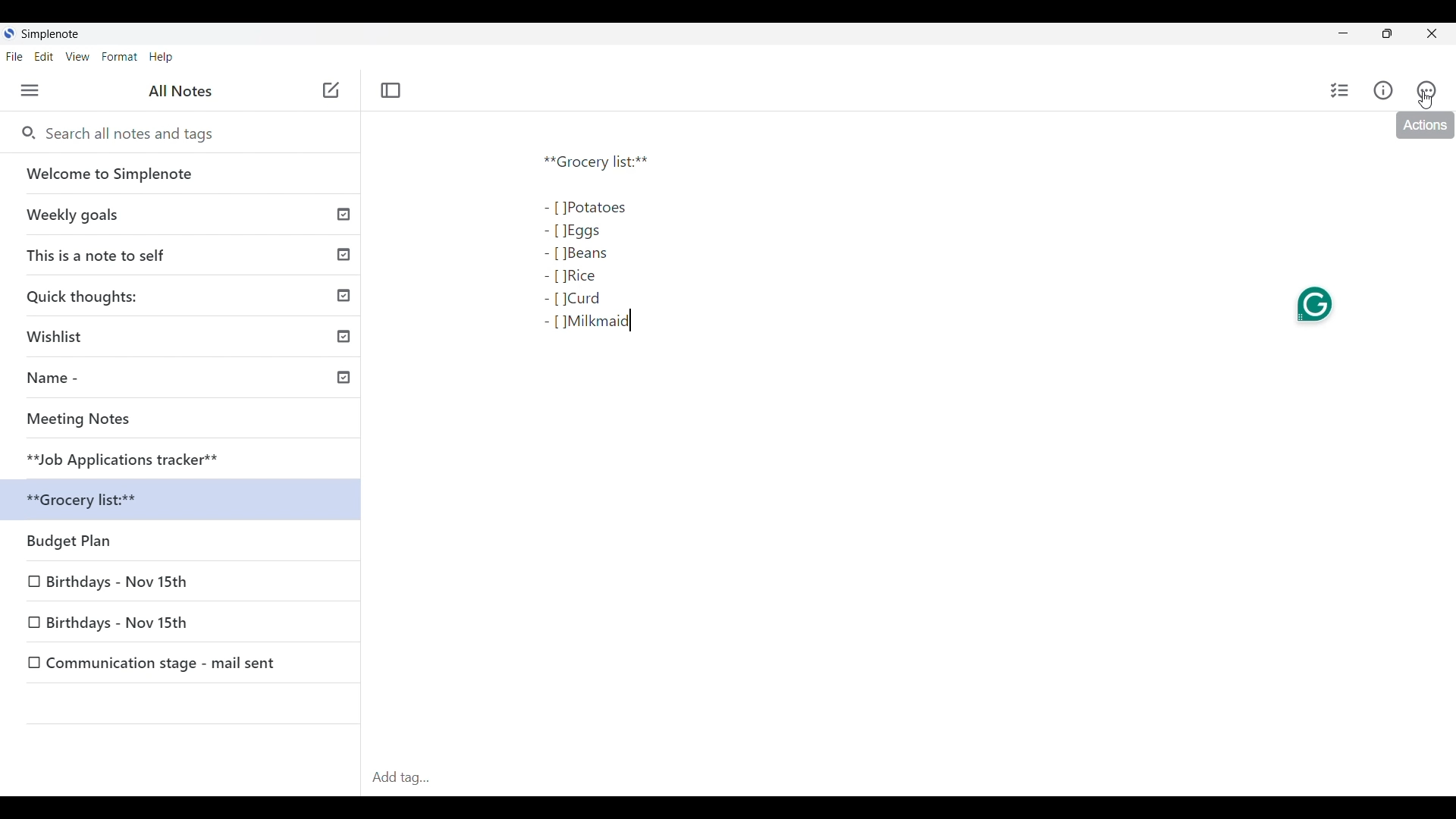 The width and height of the screenshot is (1456, 819). I want to click on Format, so click(120, 57).